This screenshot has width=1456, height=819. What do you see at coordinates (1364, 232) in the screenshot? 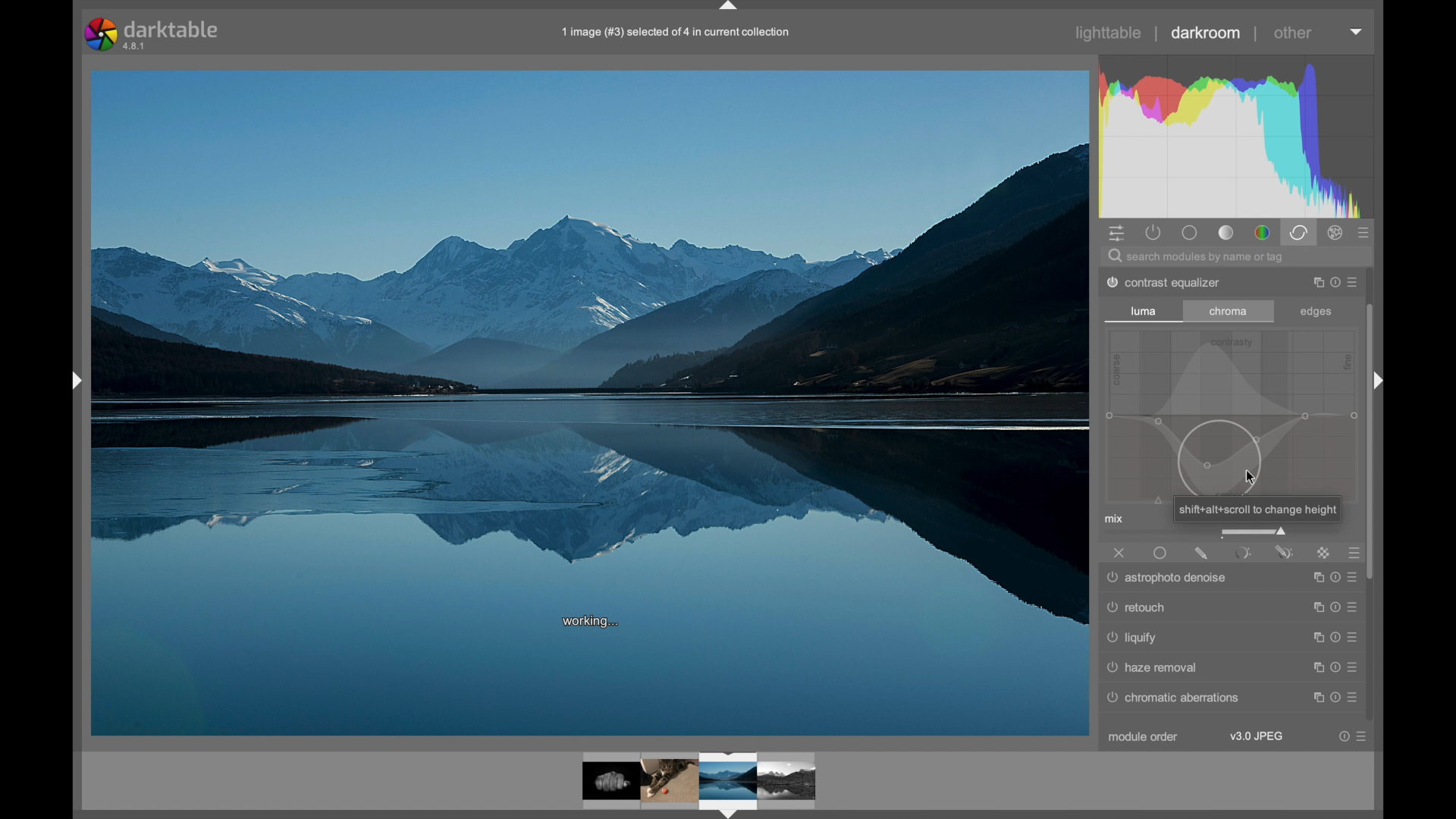
I see `presets` at bounding box center [1364, 232].